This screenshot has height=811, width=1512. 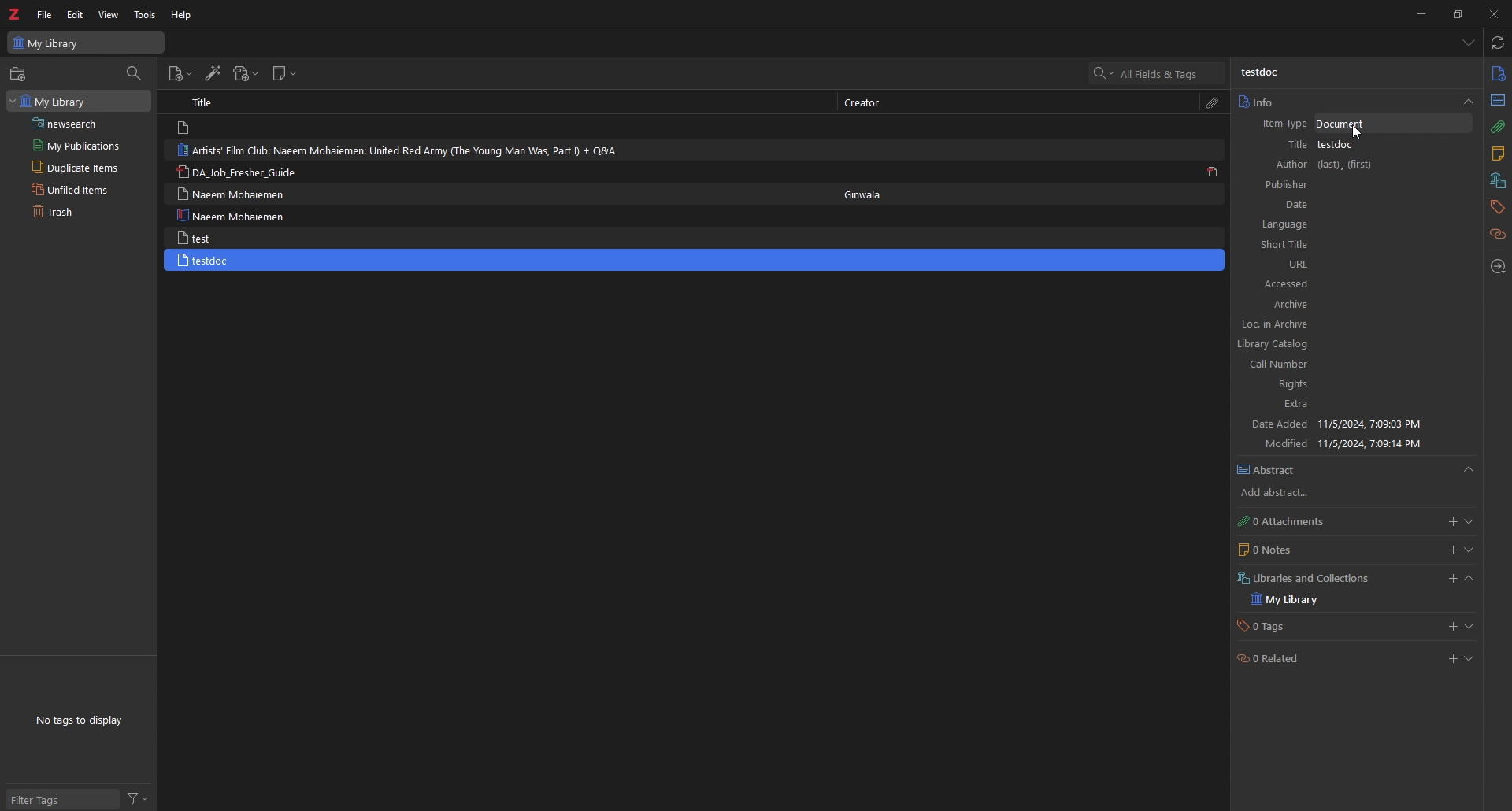 What do you see at coordinates (80, 124) in the screenshot?
I see `newsearch` at bounding box center [80, 124].